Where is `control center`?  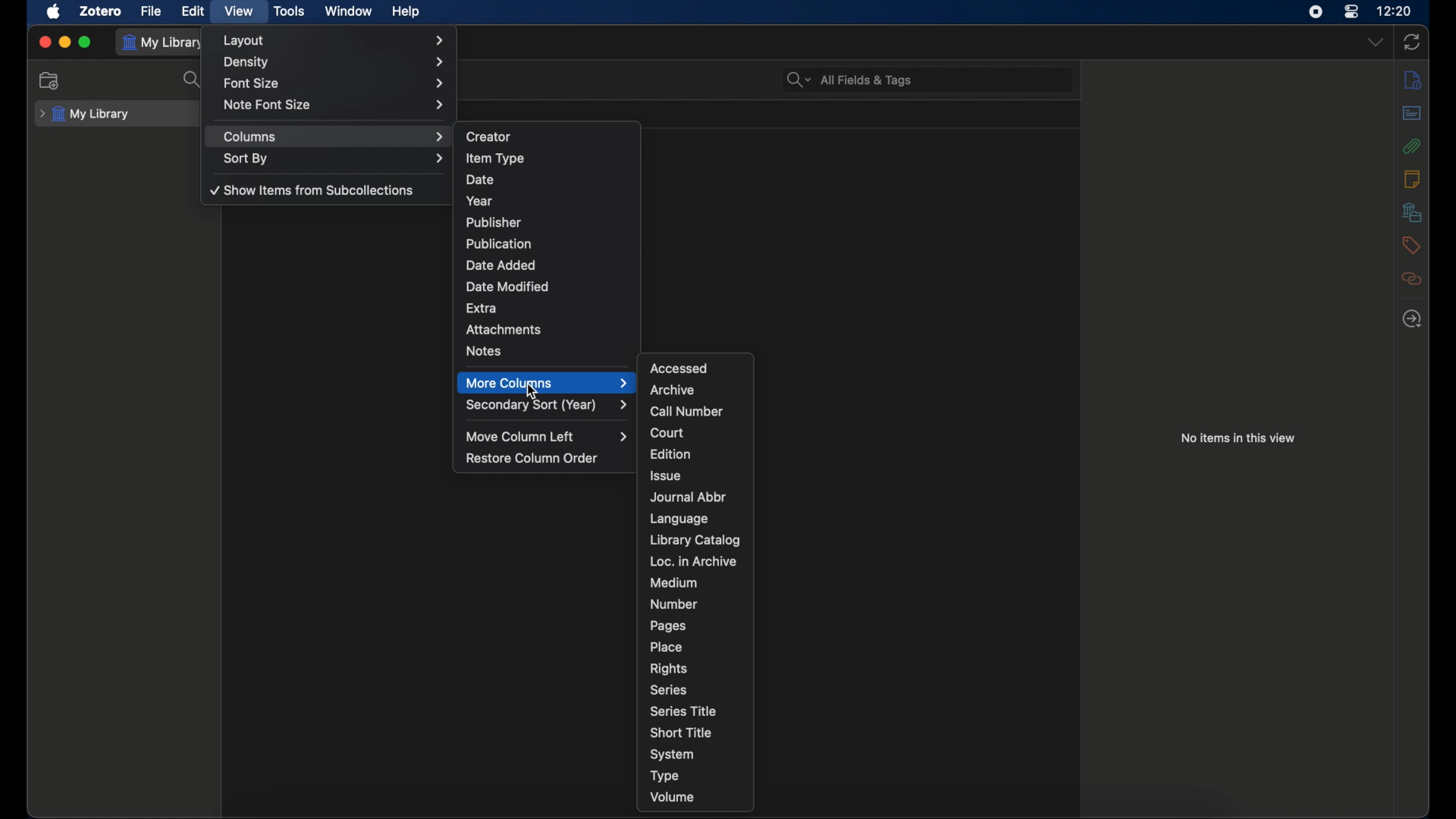
control center is located at coordinates (1352, 11).